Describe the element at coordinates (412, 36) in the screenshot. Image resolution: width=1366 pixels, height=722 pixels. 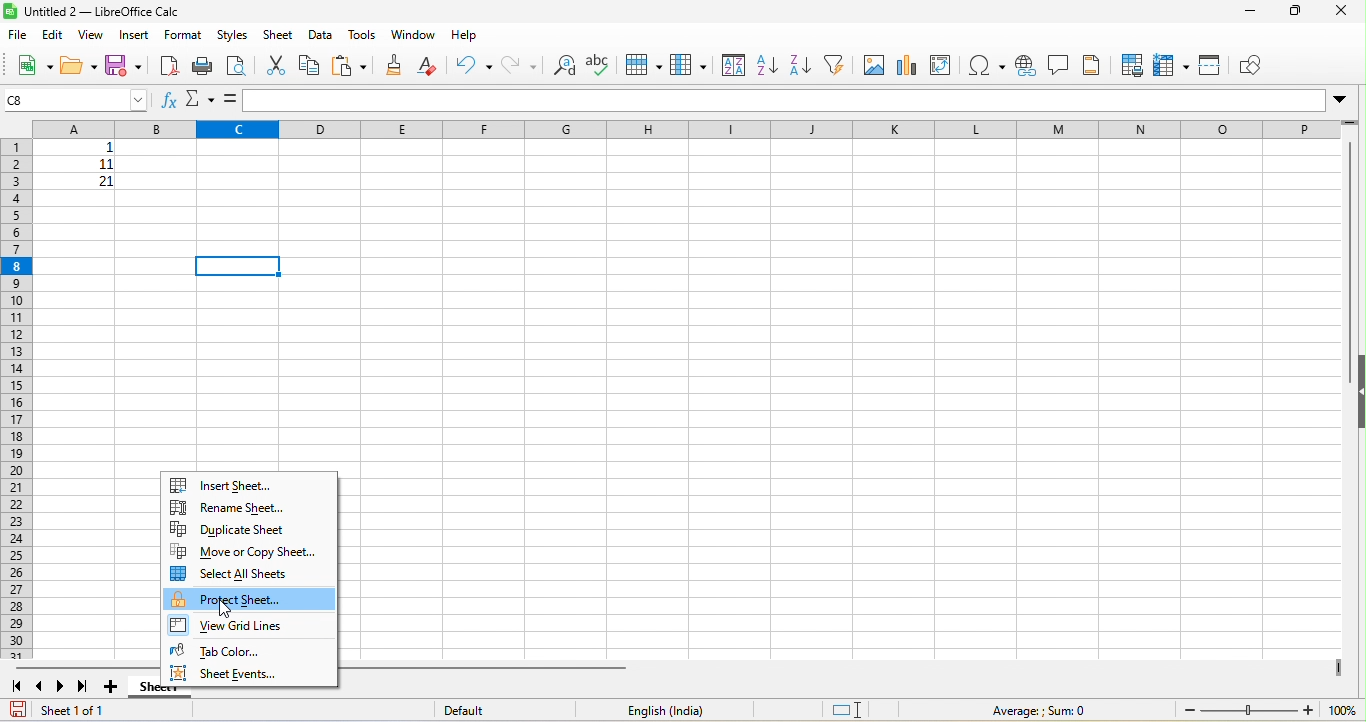
I see `window` at that location.